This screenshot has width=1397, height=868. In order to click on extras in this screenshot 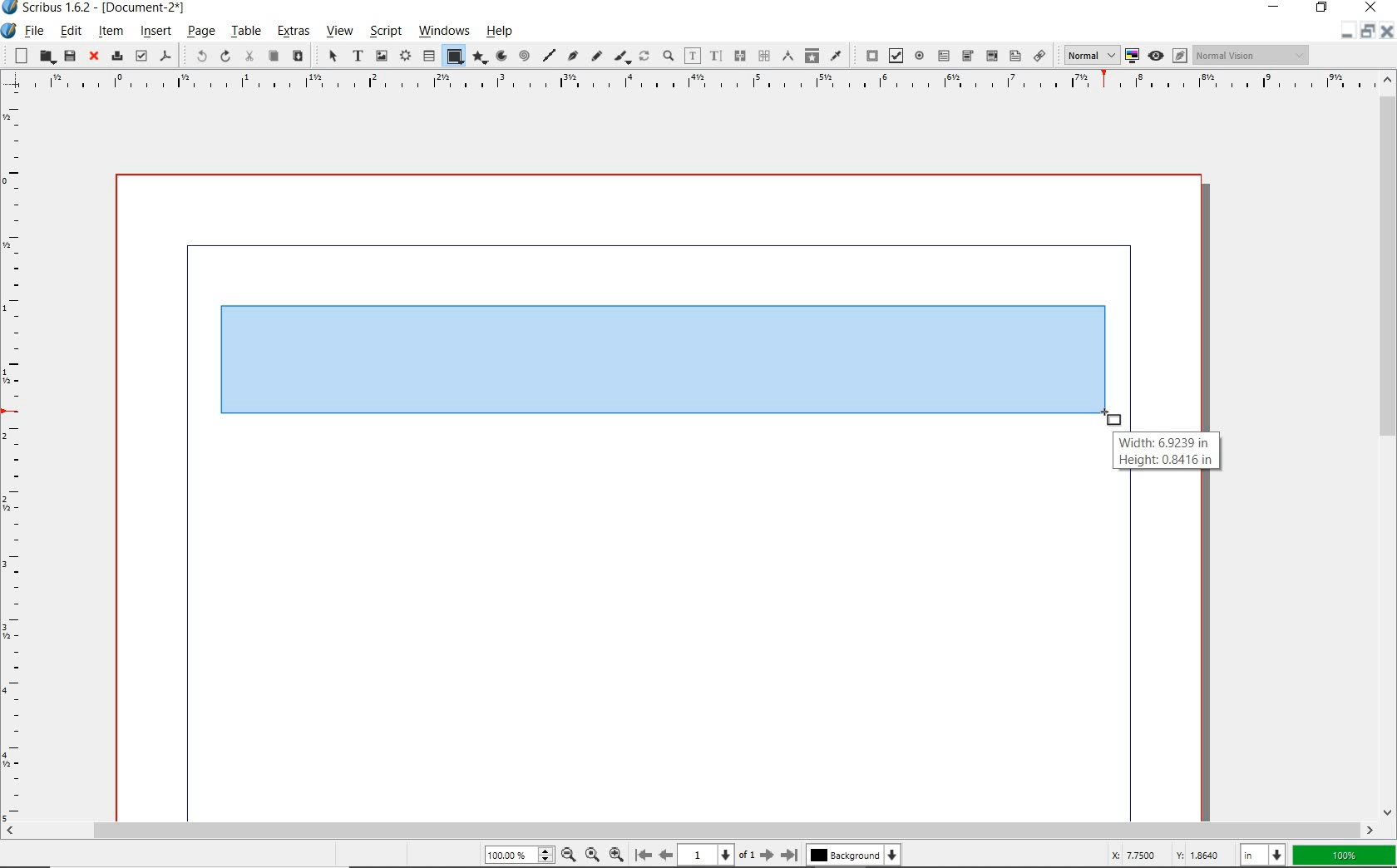, I will do `click(294, 32)`.